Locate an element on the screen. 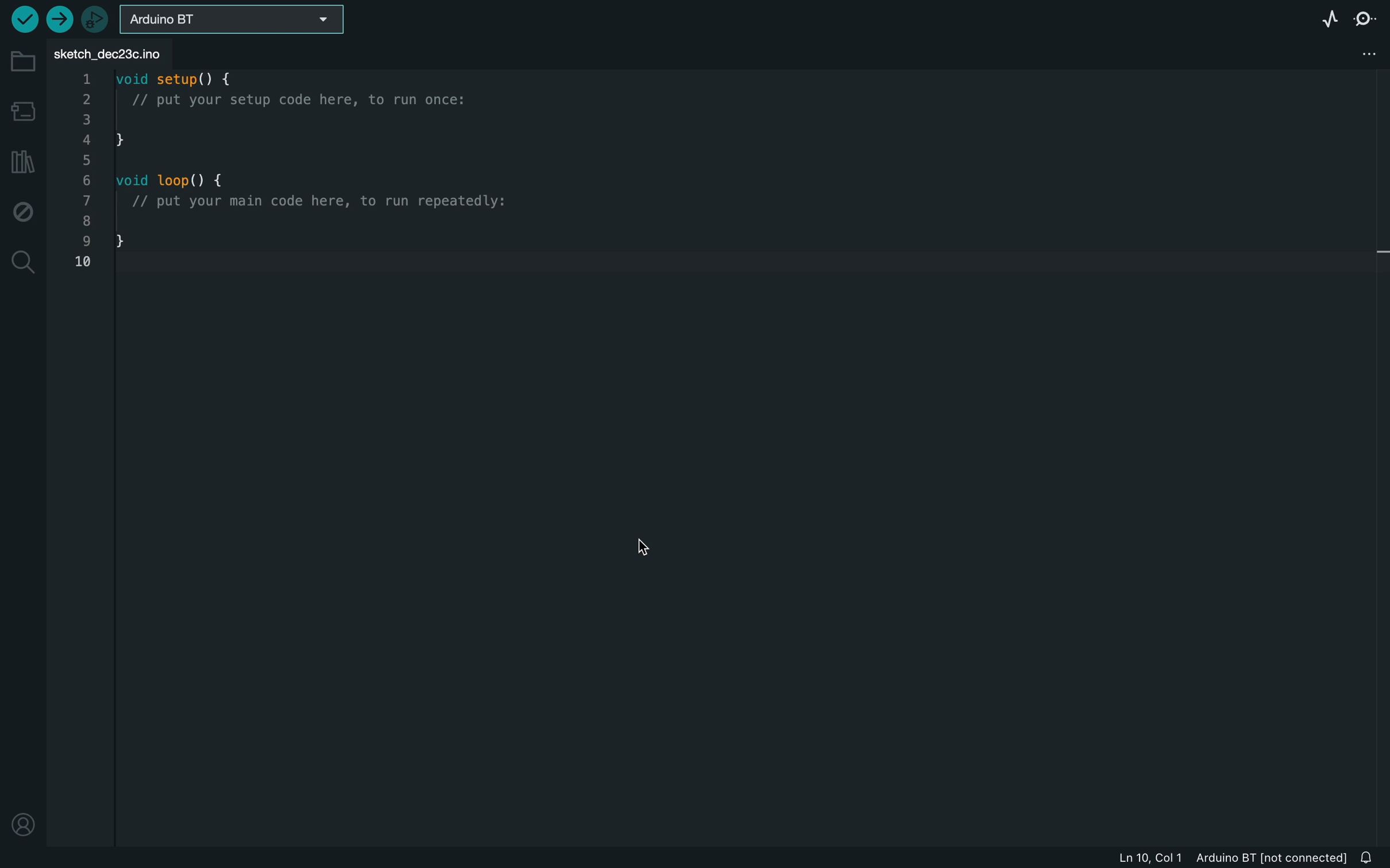 Image resolution: width=1390 pixels, height=868 pixels. code is located at coordinates (316, 173).